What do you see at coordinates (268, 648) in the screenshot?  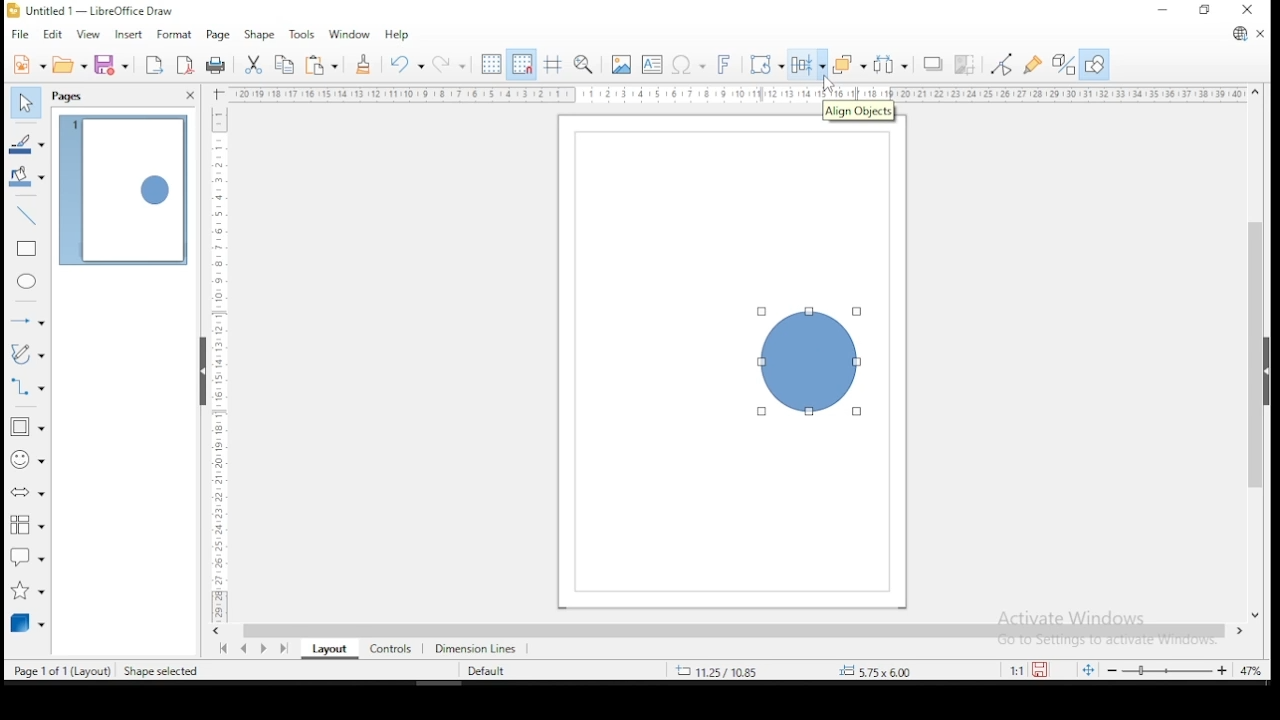 I see `next page` at bounding box center [268, 648].